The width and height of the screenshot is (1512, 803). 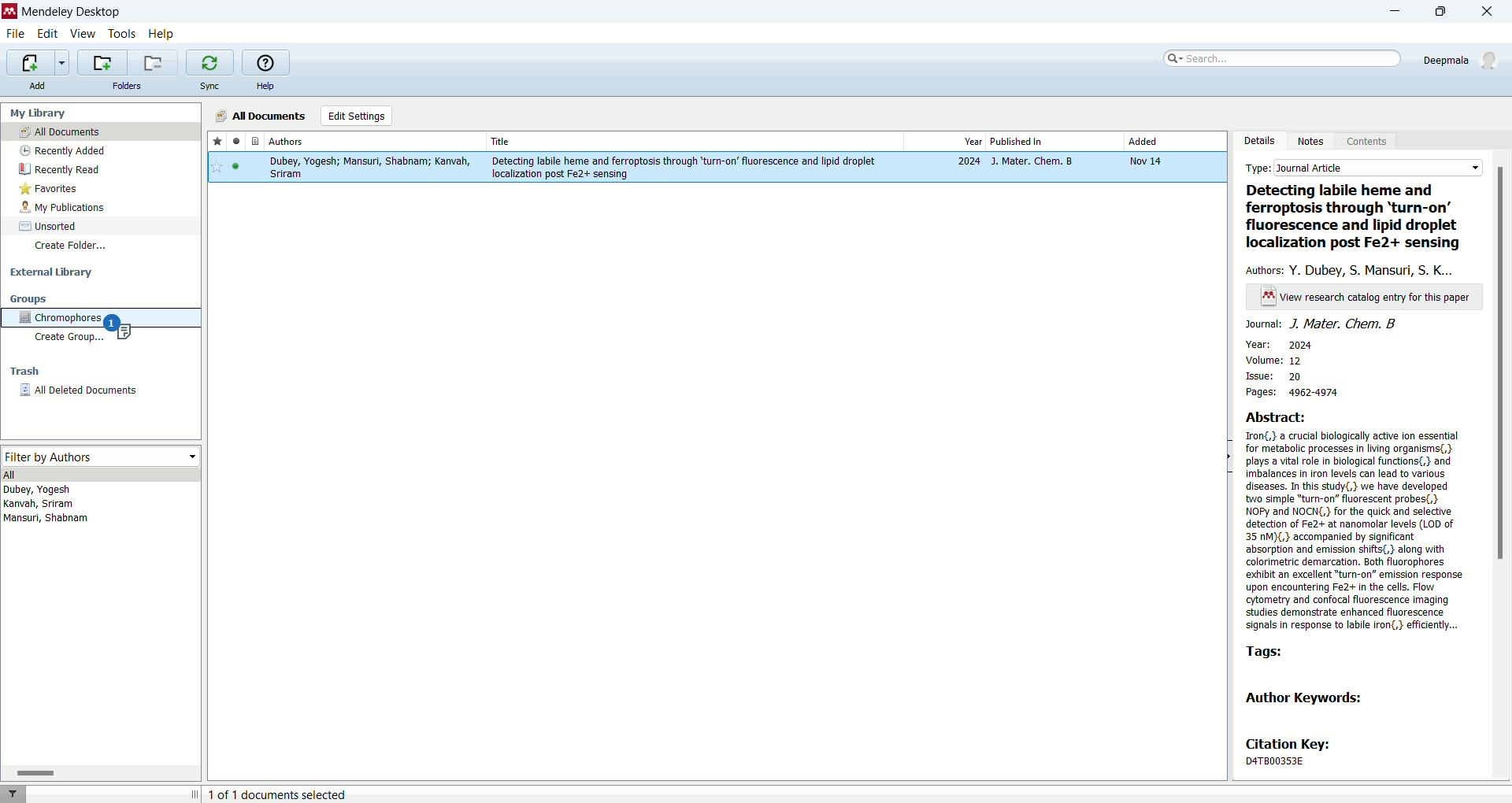 What do you see at coordinates (1280, 343) in the screenshot?
I see `year:  2024` at bounding box center [1280, 343].